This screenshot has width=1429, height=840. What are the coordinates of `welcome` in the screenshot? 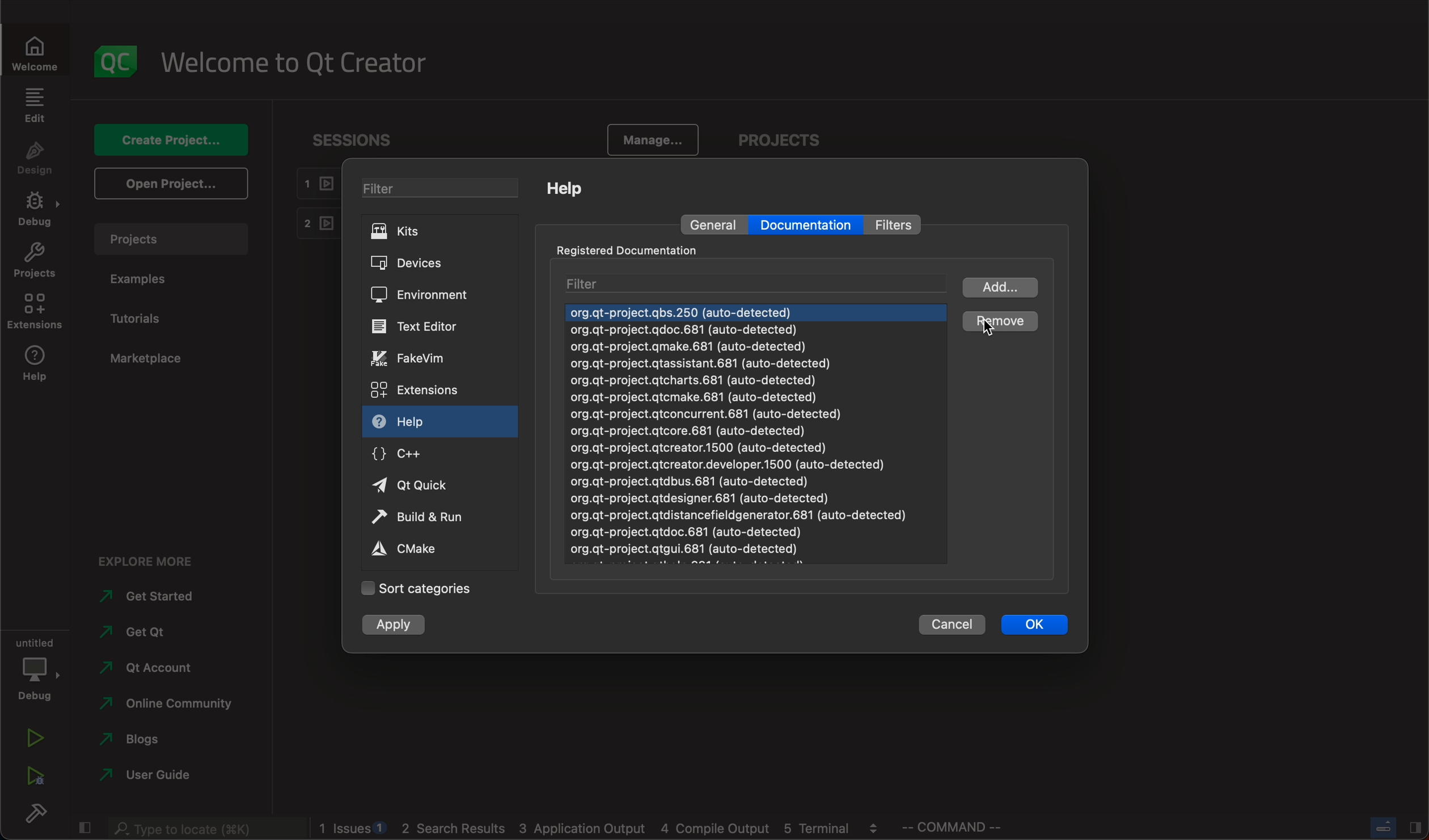 It's located at (294, 63).